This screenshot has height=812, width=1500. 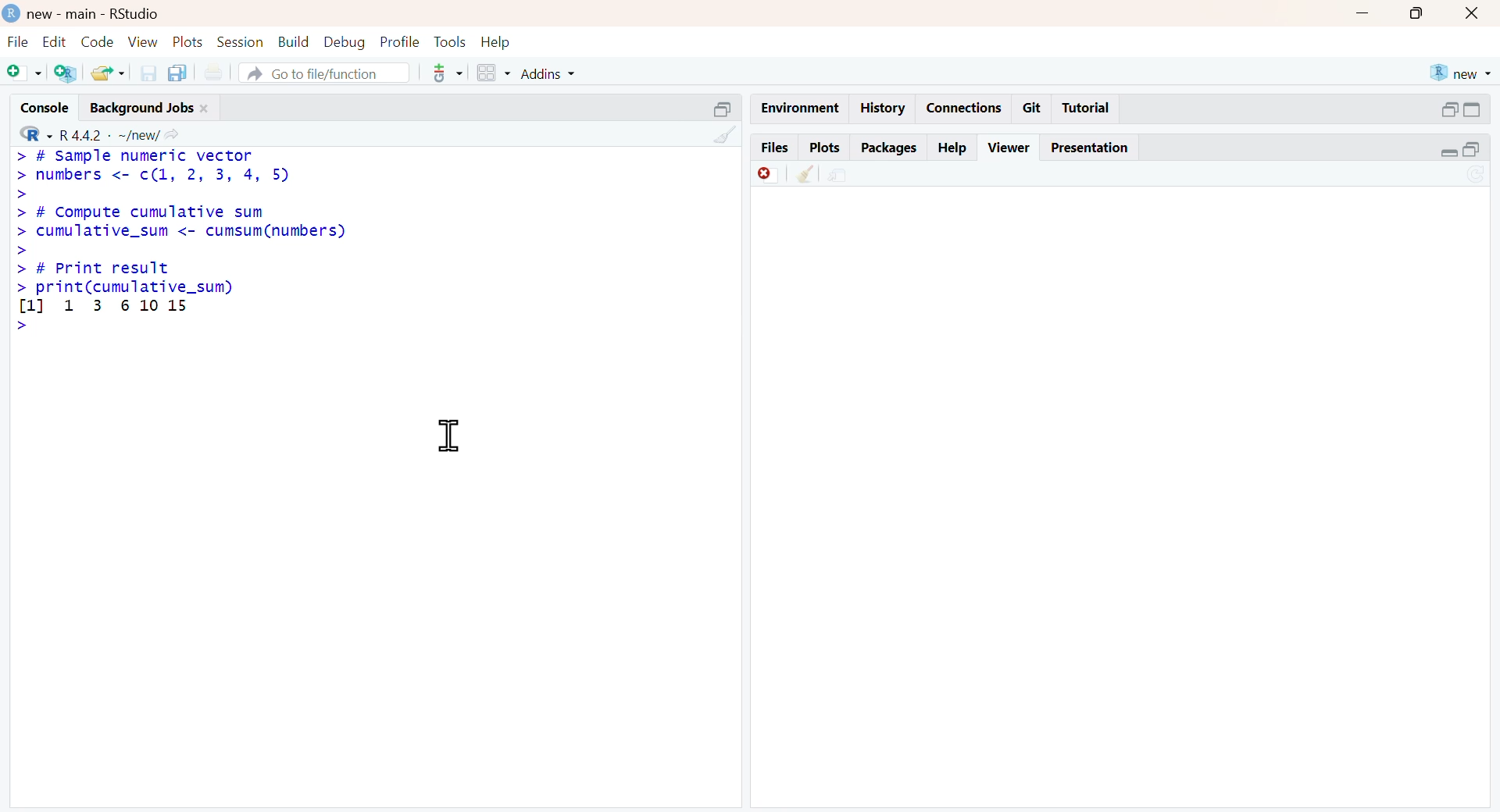 What do you see at coordinates (1011, 146) in the screenshot?
I see `Viewer` at bounding box center [1011, 146].